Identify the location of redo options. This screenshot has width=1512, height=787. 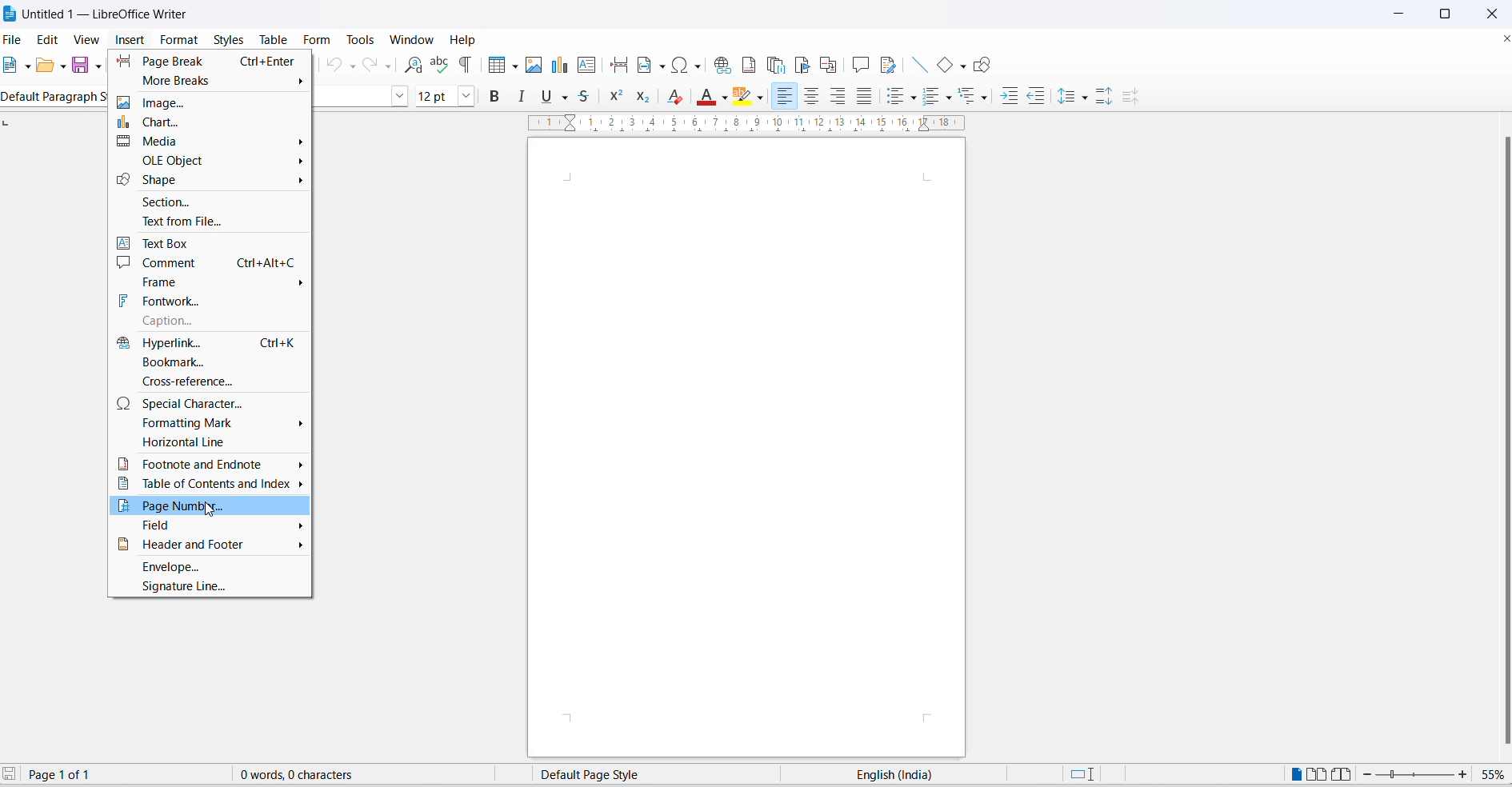
(388, 66).